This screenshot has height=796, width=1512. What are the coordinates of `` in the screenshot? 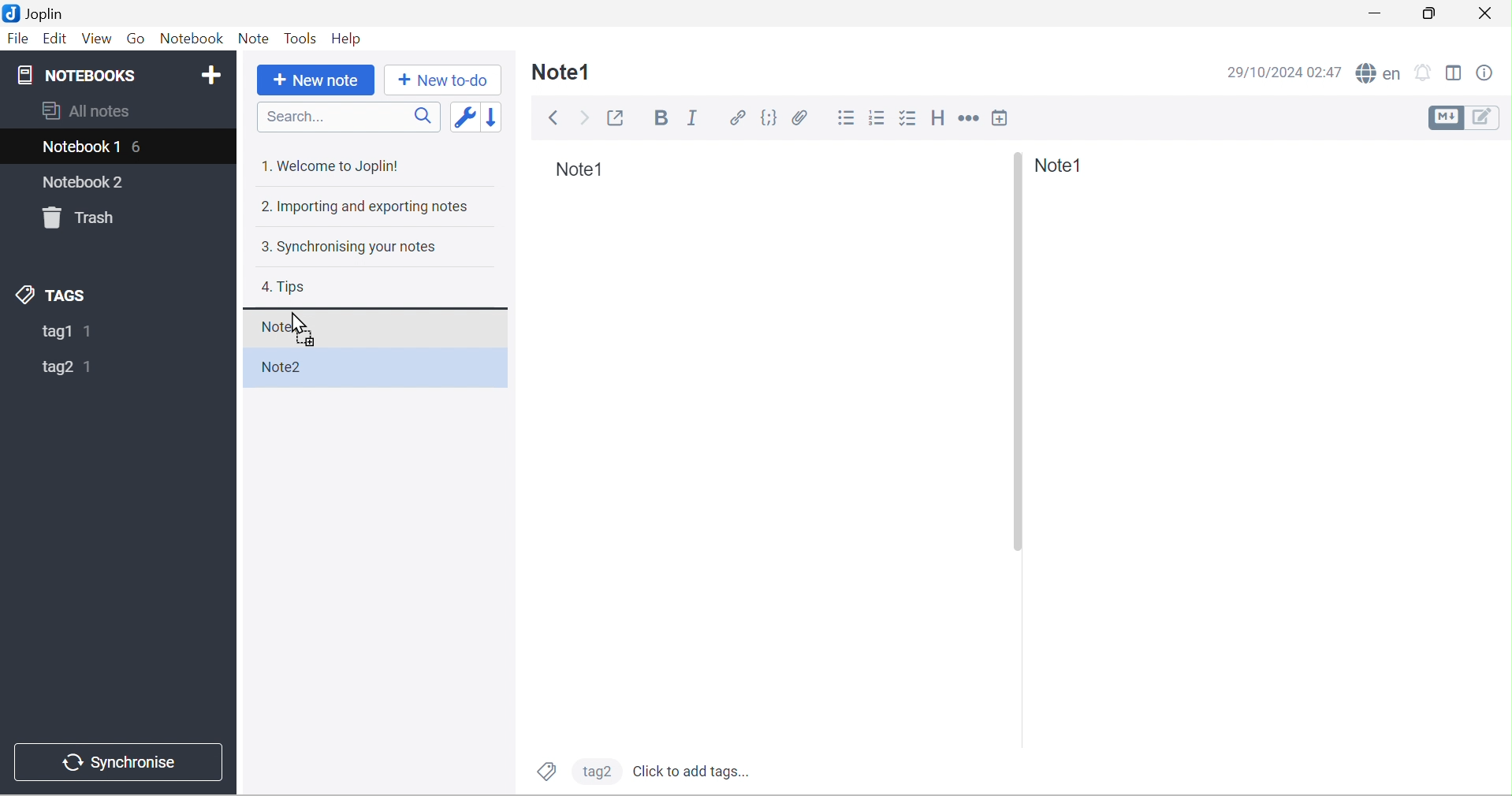 It's located at (1016, 354).